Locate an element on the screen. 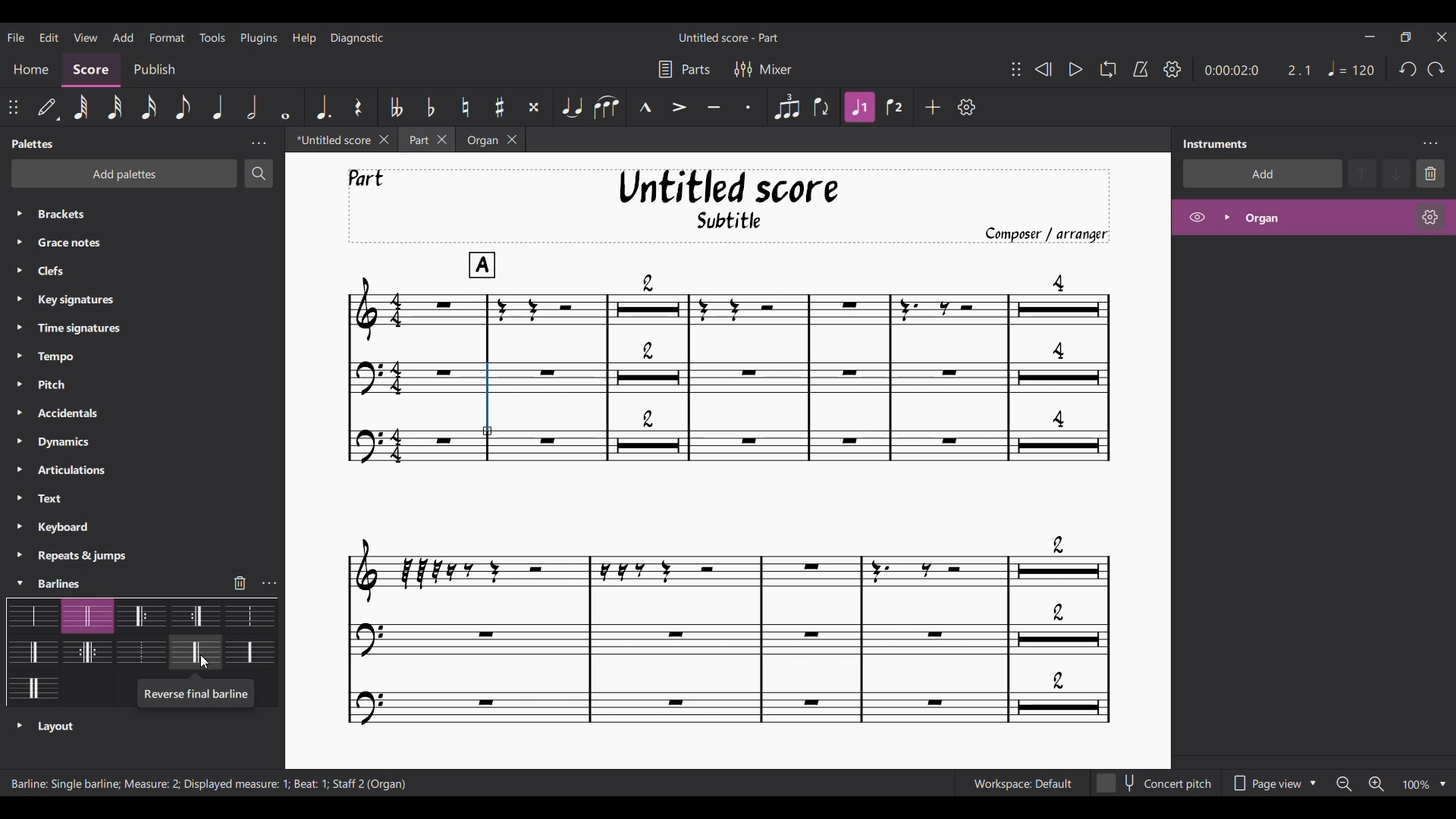 The height and width of the screenshot is (819, 1456). Close organ tab is located at coordinates (513, 140).